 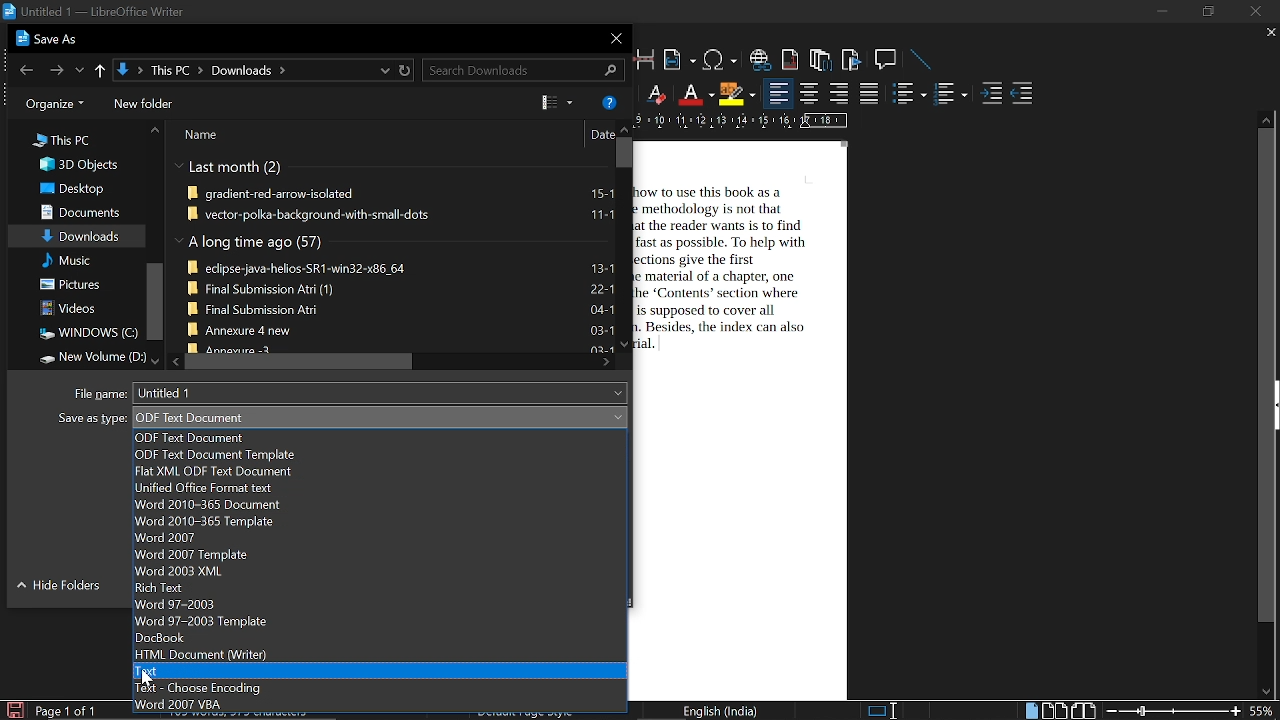 I want to click on word 2010-365 document, so click(x=377, y=504).